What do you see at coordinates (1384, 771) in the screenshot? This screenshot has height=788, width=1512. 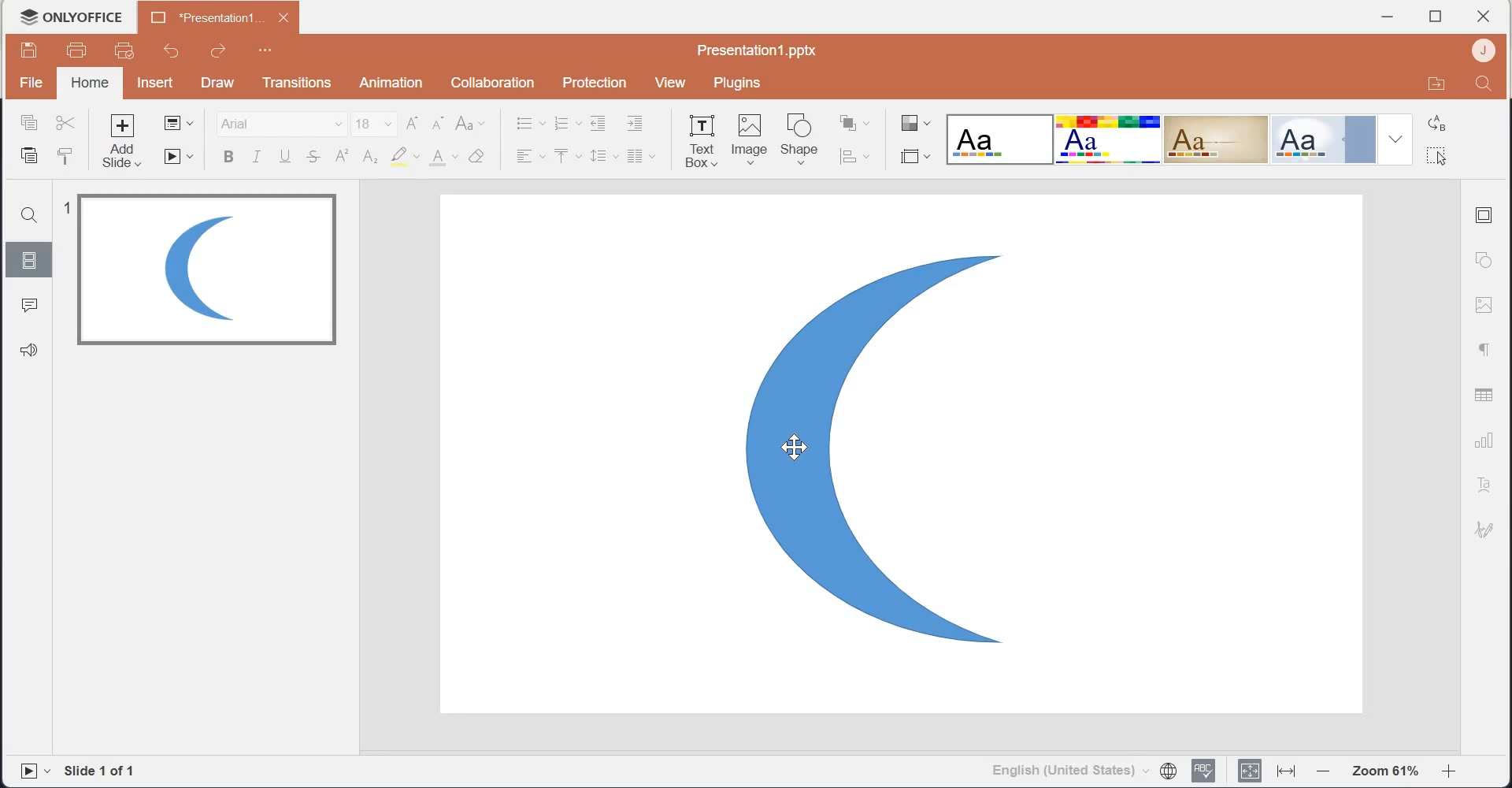 I see `Zoom 61%` at bounding box center [1384, 771].